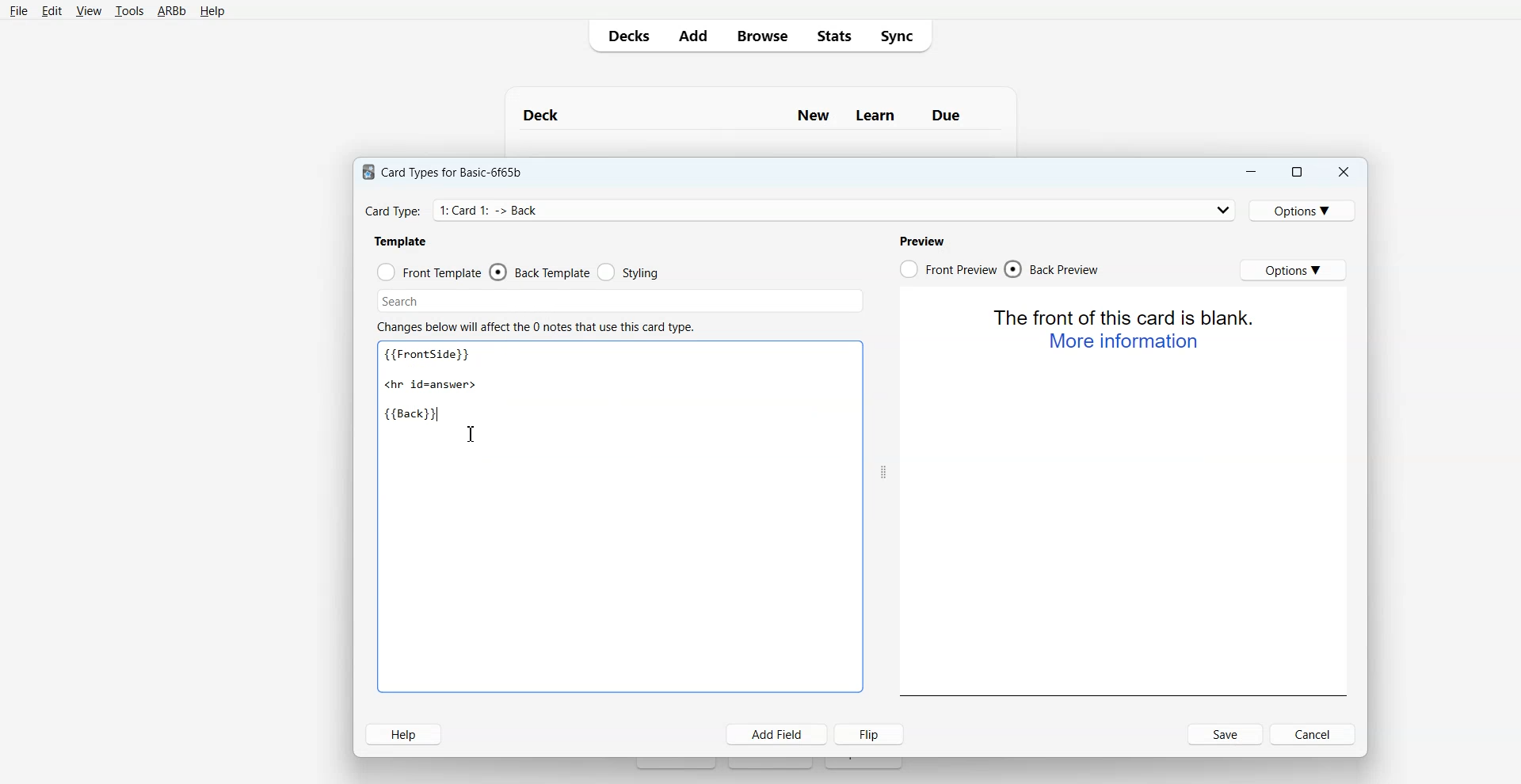 The width and height of the screenshot is (1521, 784). I want to click on Front Template, so click(429, 271).